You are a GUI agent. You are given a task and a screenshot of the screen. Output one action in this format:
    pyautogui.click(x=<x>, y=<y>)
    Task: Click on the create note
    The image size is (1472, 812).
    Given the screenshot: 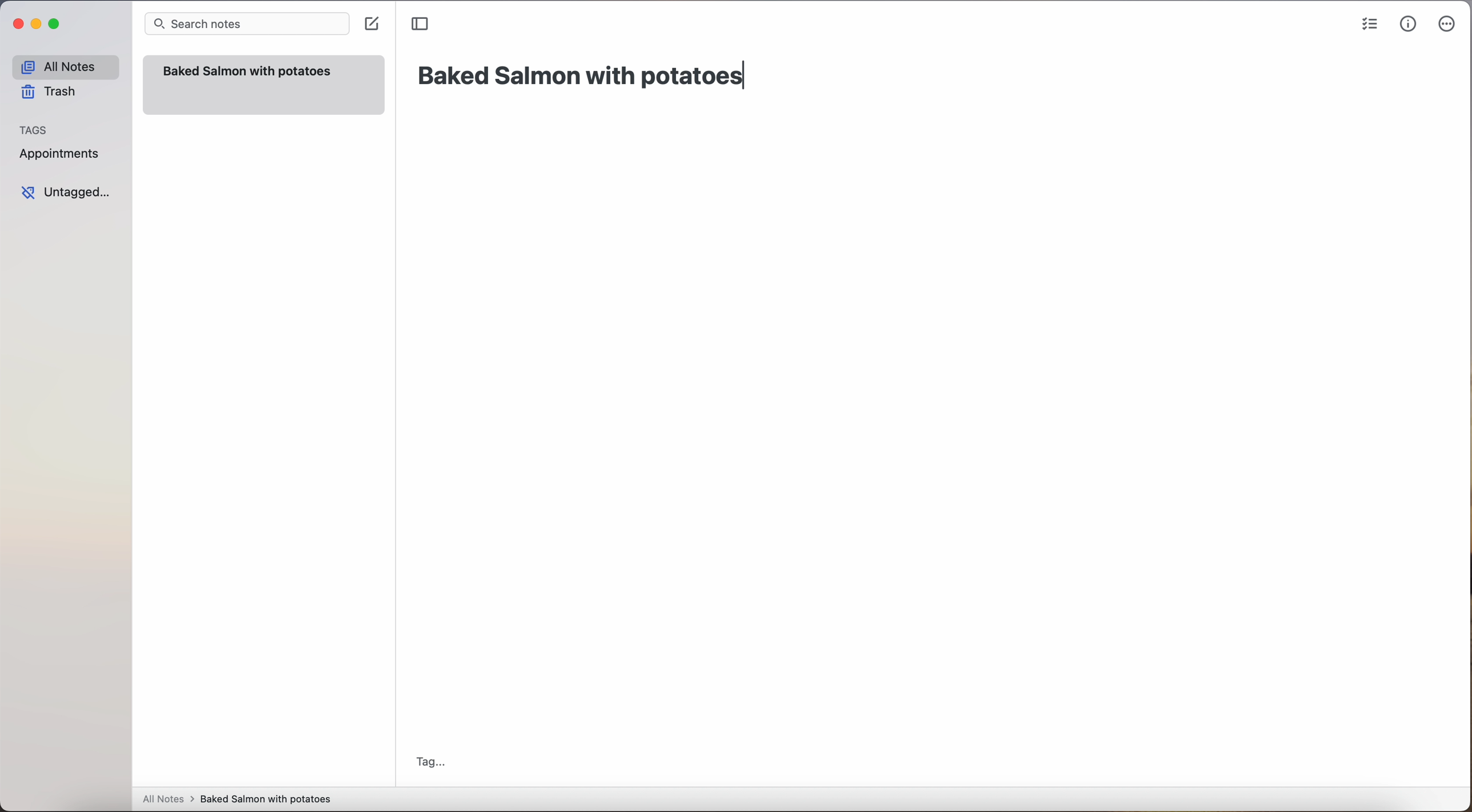 What is the action you would take?
    pyautogui.click(x=370, y=18)
    